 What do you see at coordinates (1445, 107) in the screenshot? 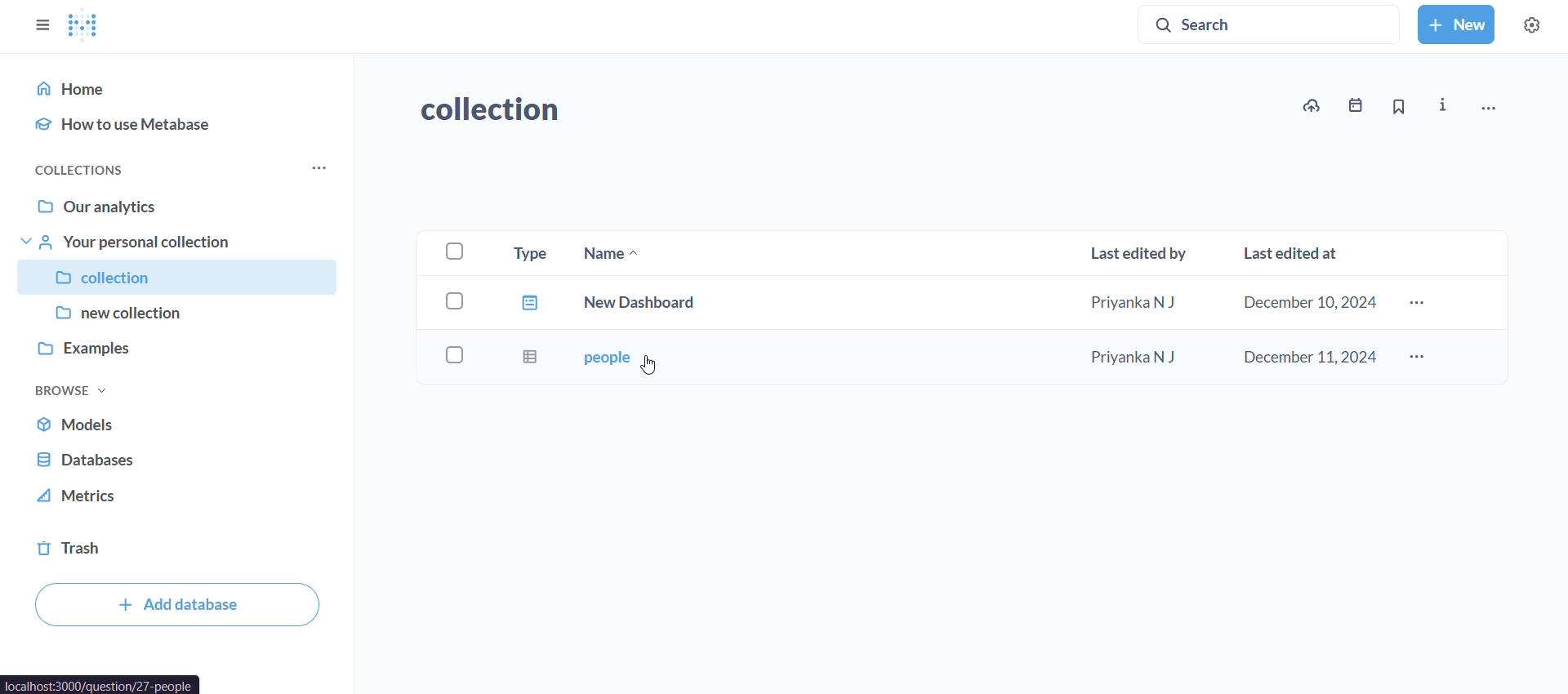
I see `info` at bounding box center [1445, 107].